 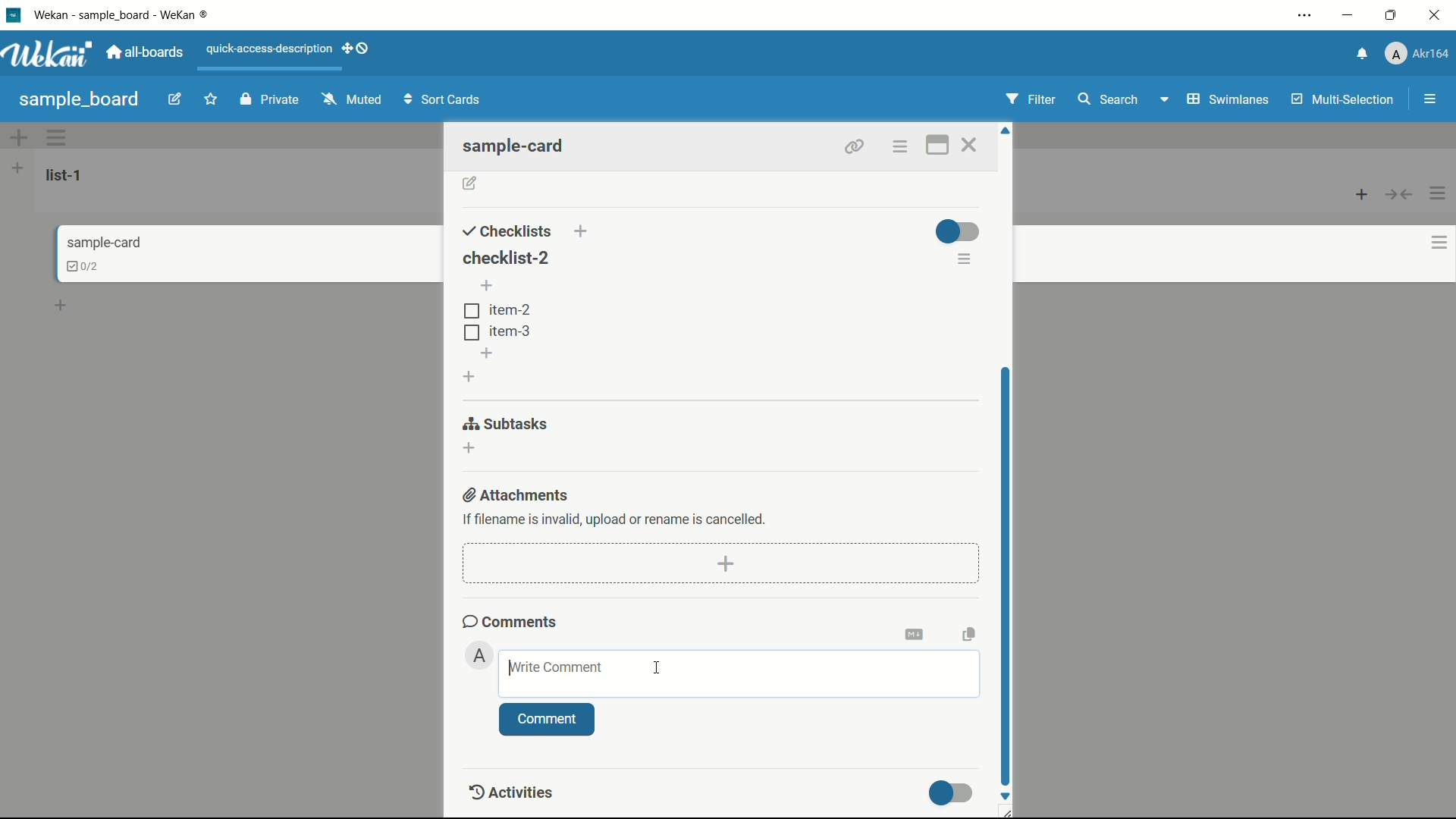 I want to click on link, so click(x=851, y=144).